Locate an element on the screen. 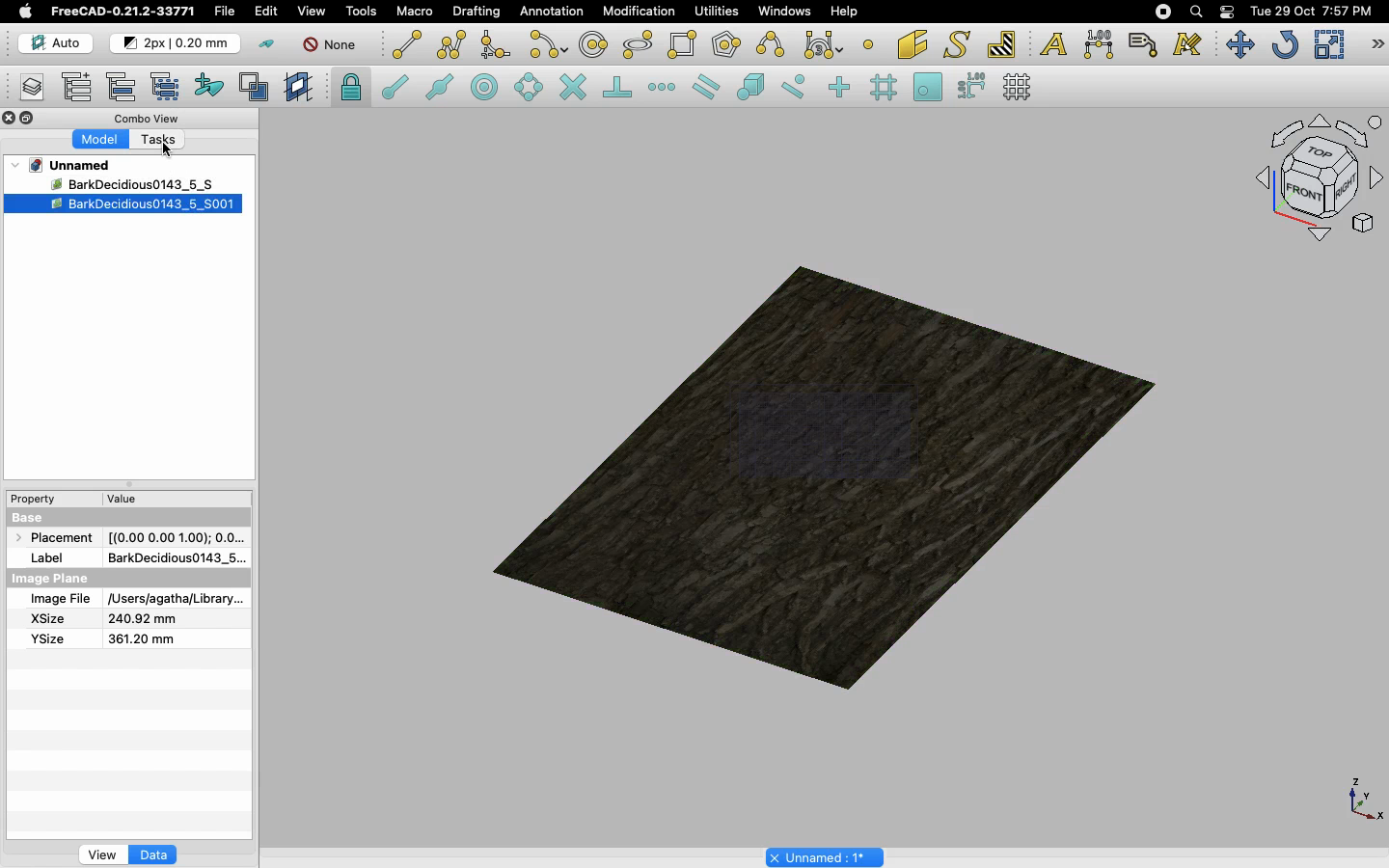 Image resolution: width=1389 pixels, height=868 pixels. Refresh is located at coordinates (1285, 46).